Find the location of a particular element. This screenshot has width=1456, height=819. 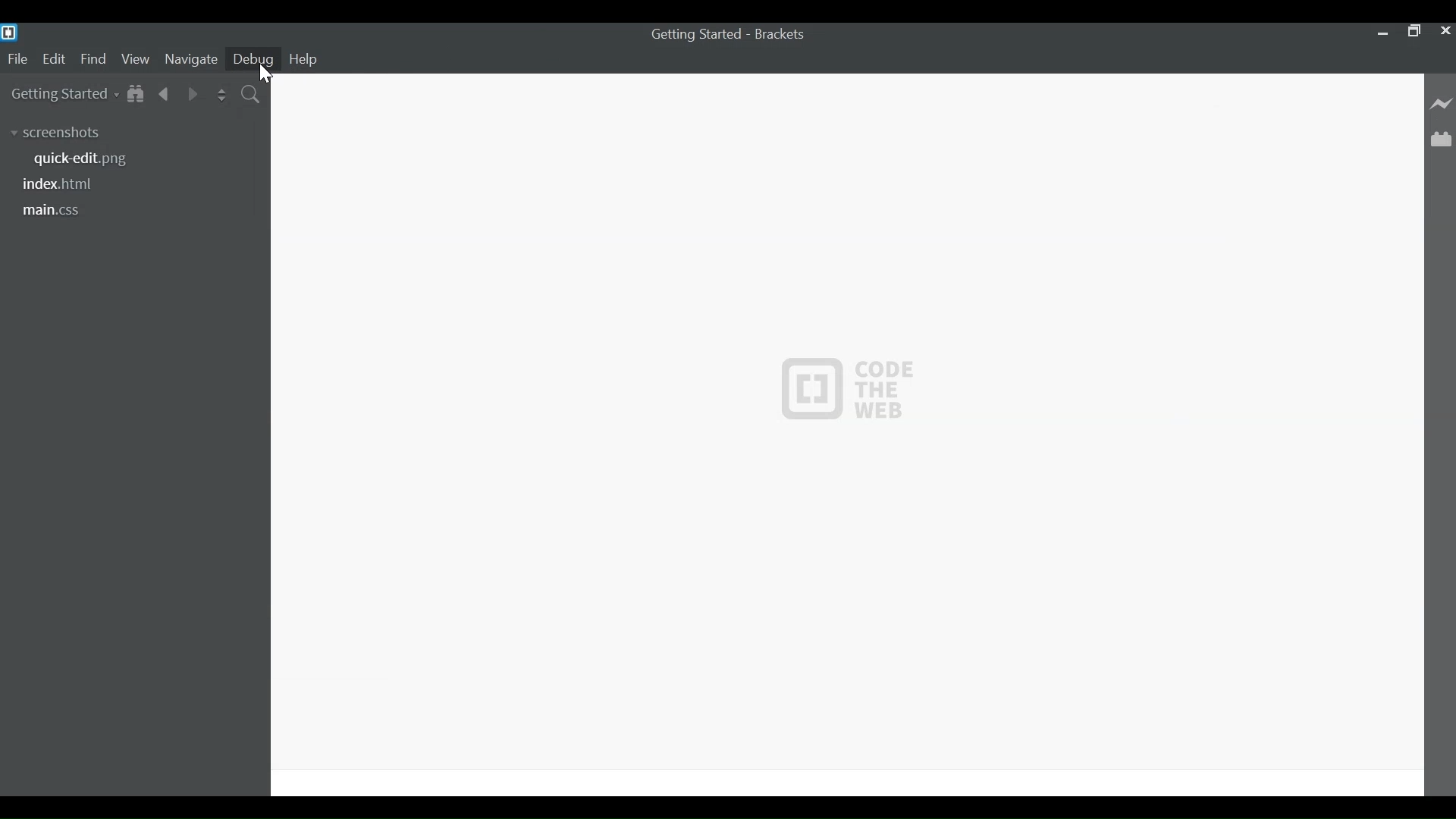

Show in File is located at coordinates (136, 95).